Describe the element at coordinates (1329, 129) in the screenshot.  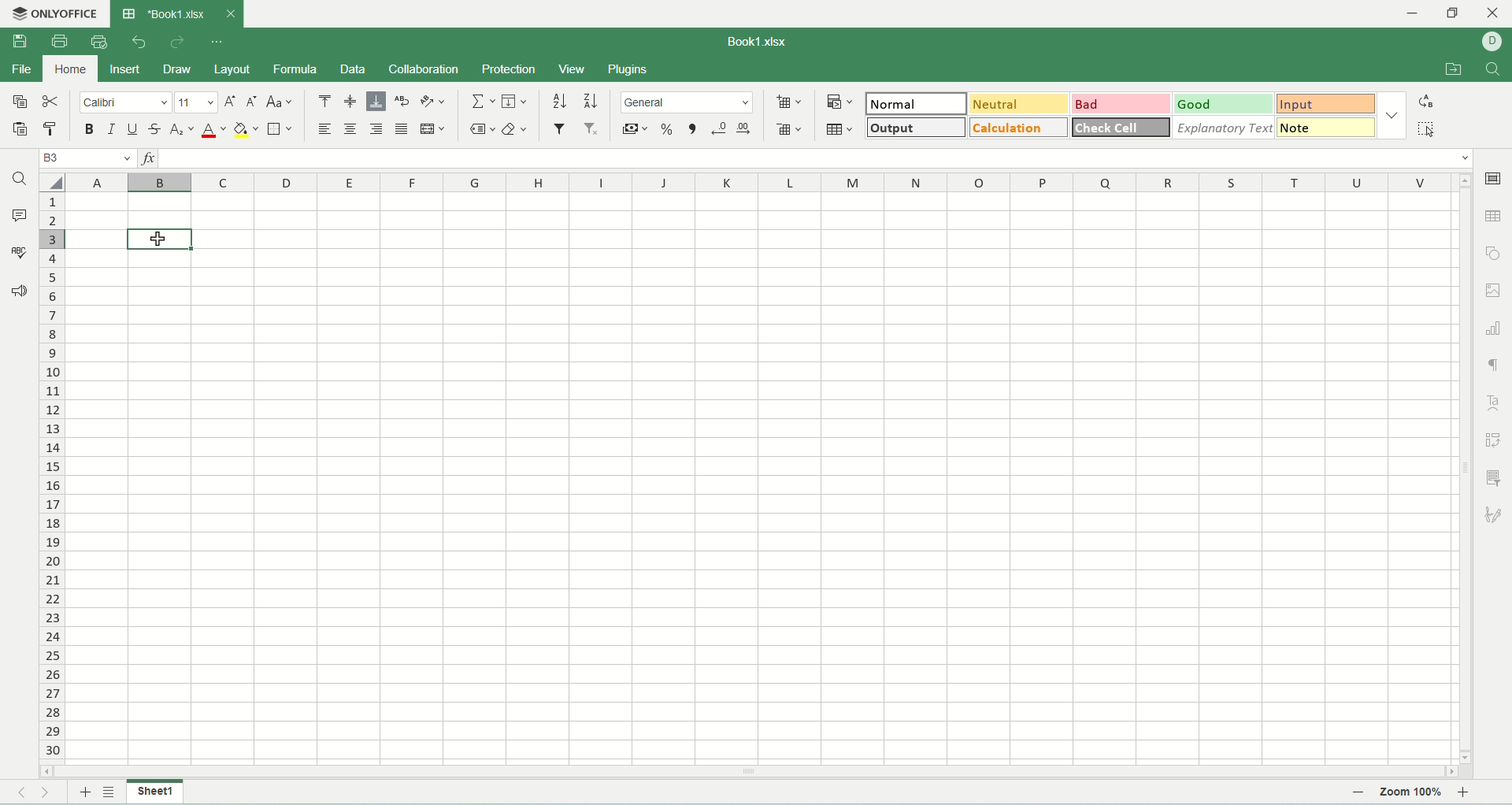
I see `note` at that location.